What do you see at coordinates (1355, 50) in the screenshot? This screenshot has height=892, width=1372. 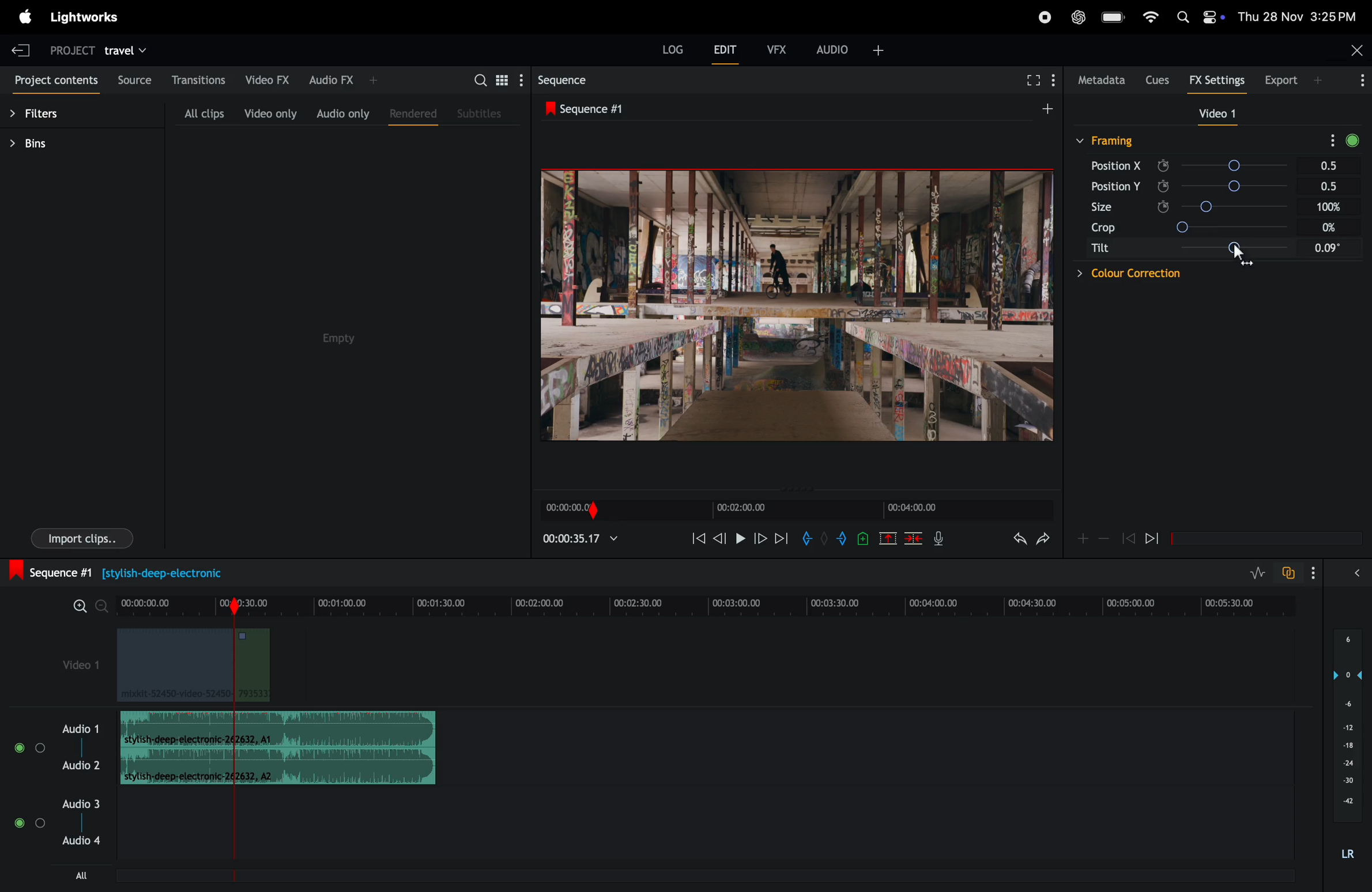 I see `close` at bounding box center [1355, 50].